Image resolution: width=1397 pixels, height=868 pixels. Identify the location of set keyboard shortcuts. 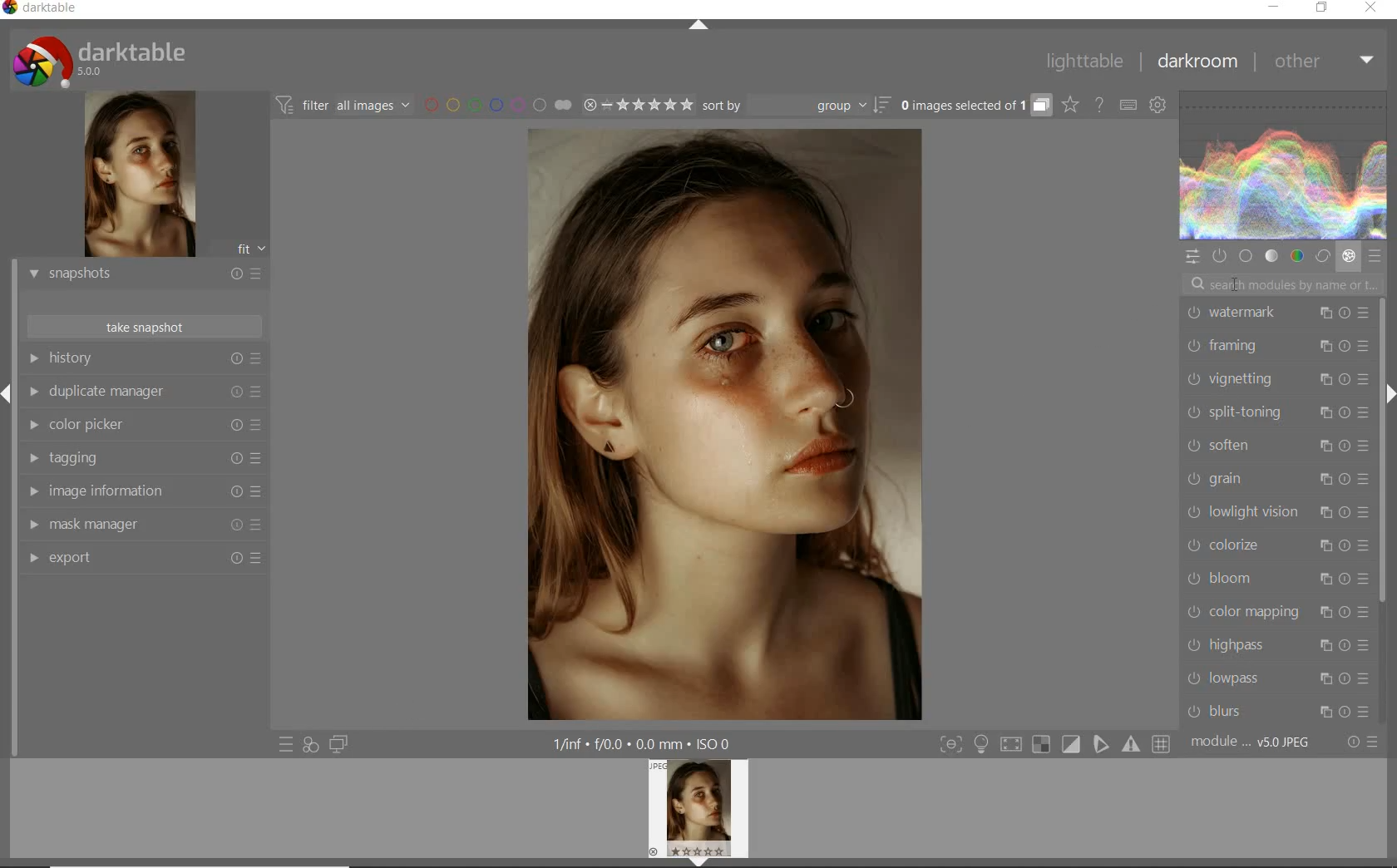
(1128, 106).